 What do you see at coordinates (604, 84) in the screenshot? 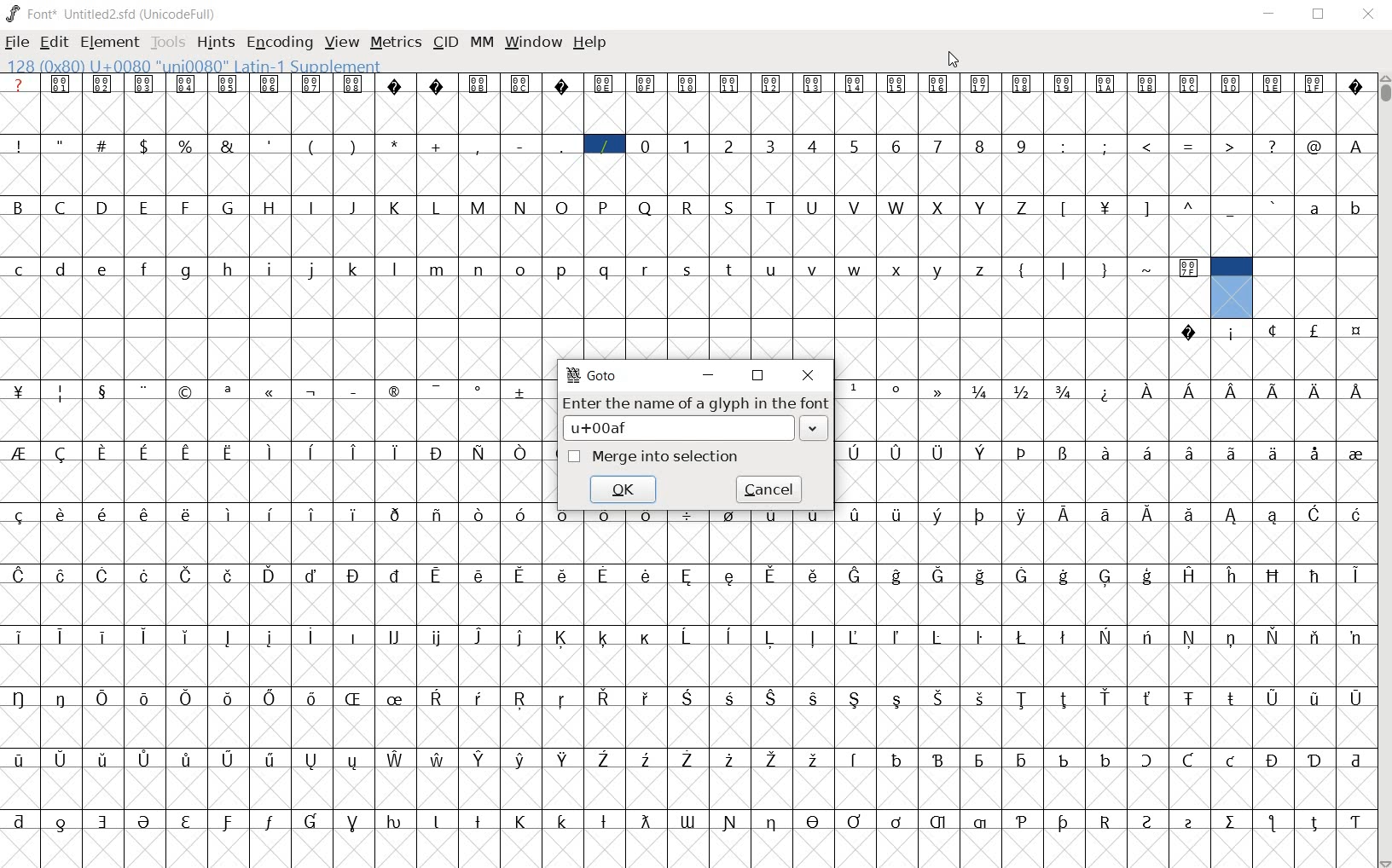
I see `Symbol` at bounding box center [604, 84].